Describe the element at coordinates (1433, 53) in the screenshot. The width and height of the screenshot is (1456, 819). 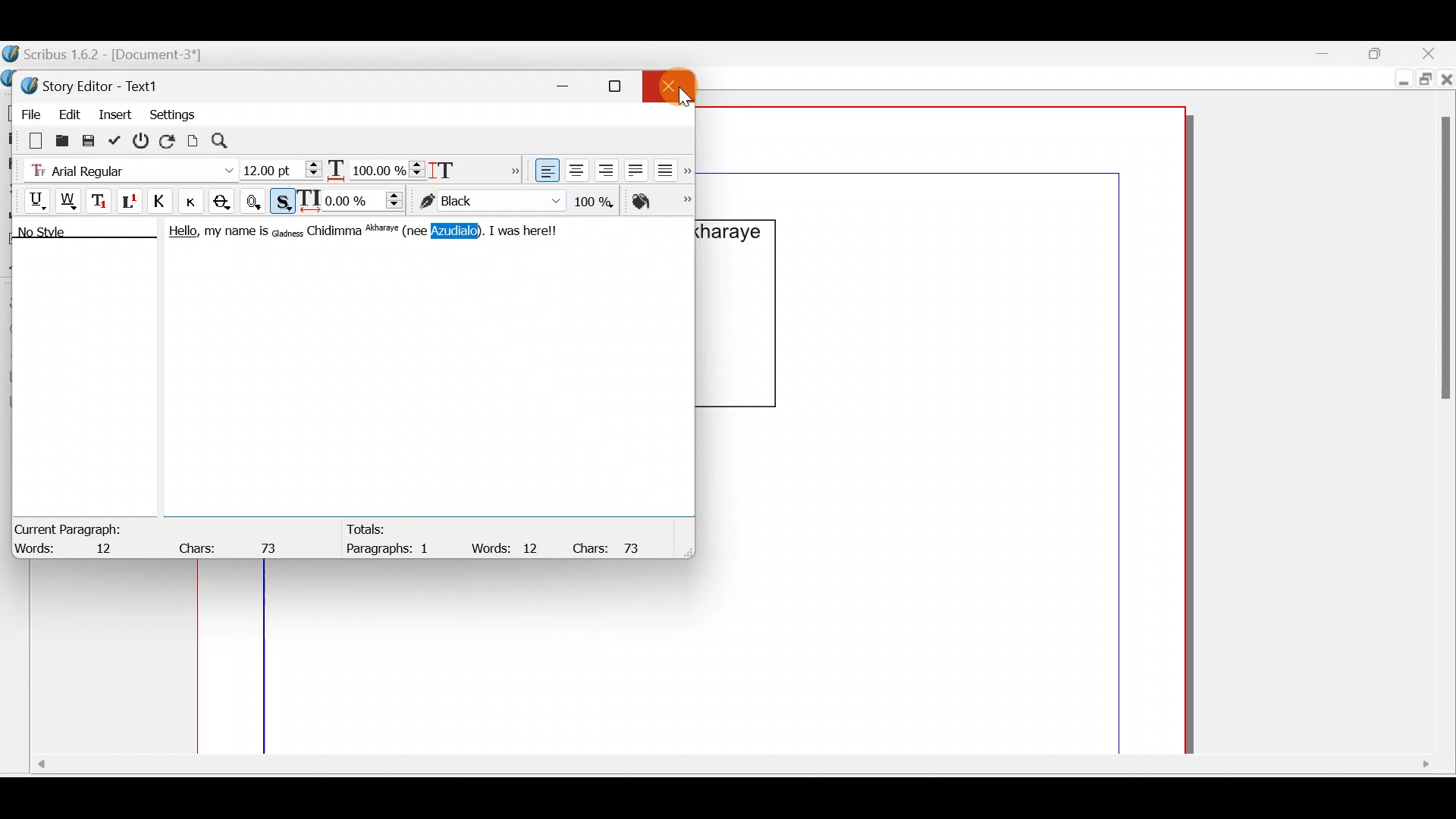
I see `Close` at that location.